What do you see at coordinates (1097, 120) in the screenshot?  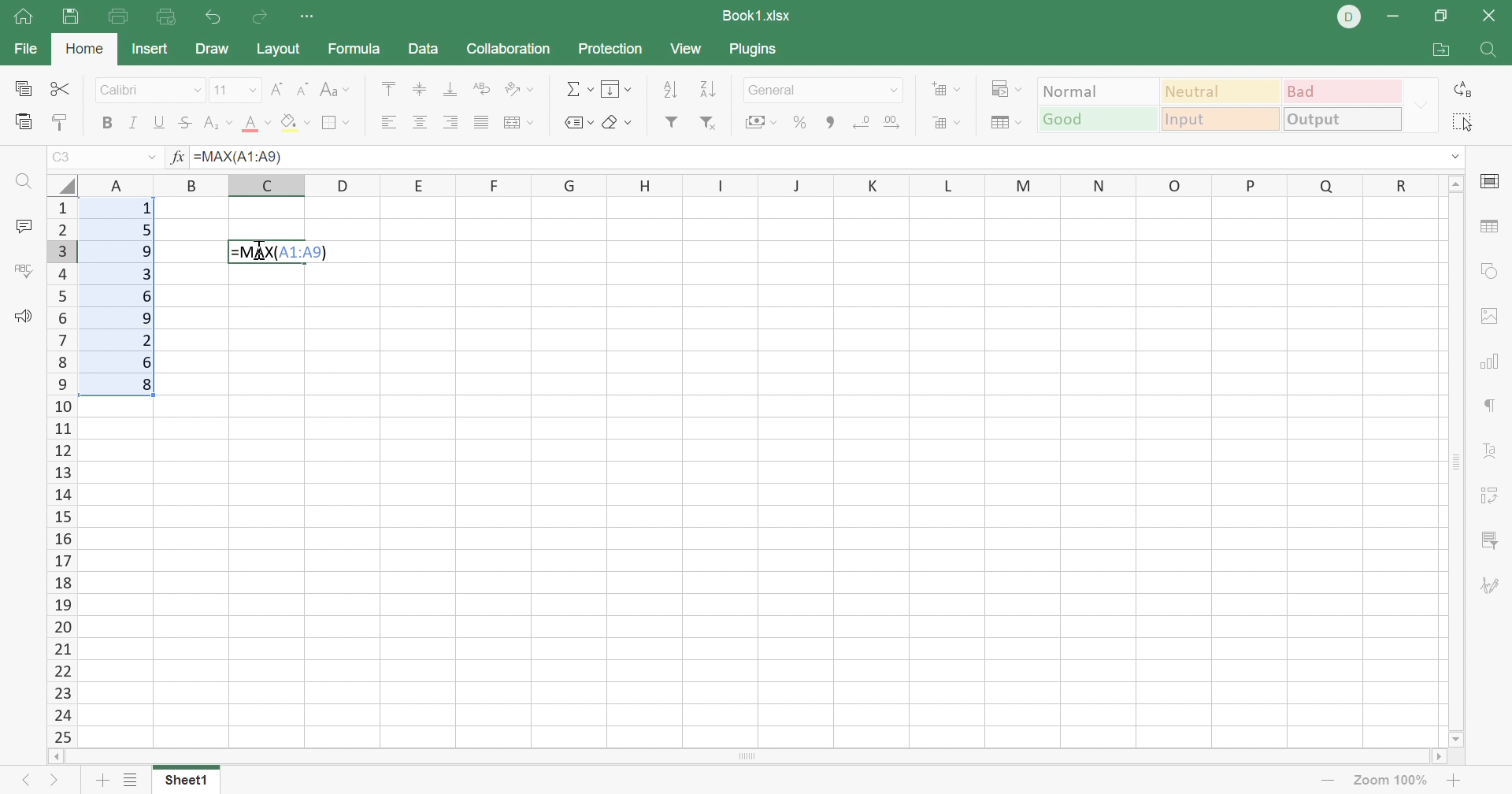 I see `Good` at bounding box center [1097, 120].